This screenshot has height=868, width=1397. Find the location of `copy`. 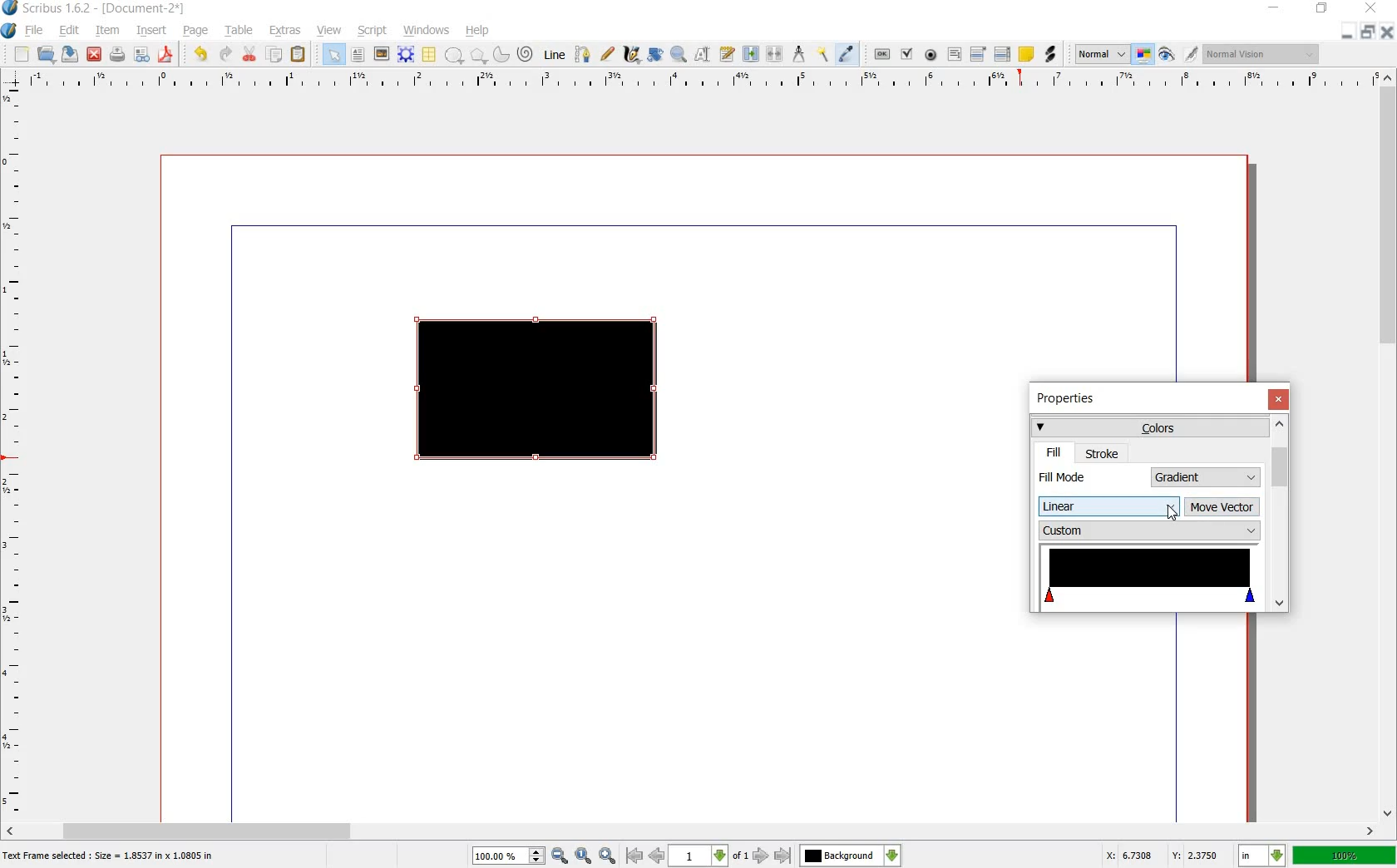

copy is located at coordinates (275, 55).